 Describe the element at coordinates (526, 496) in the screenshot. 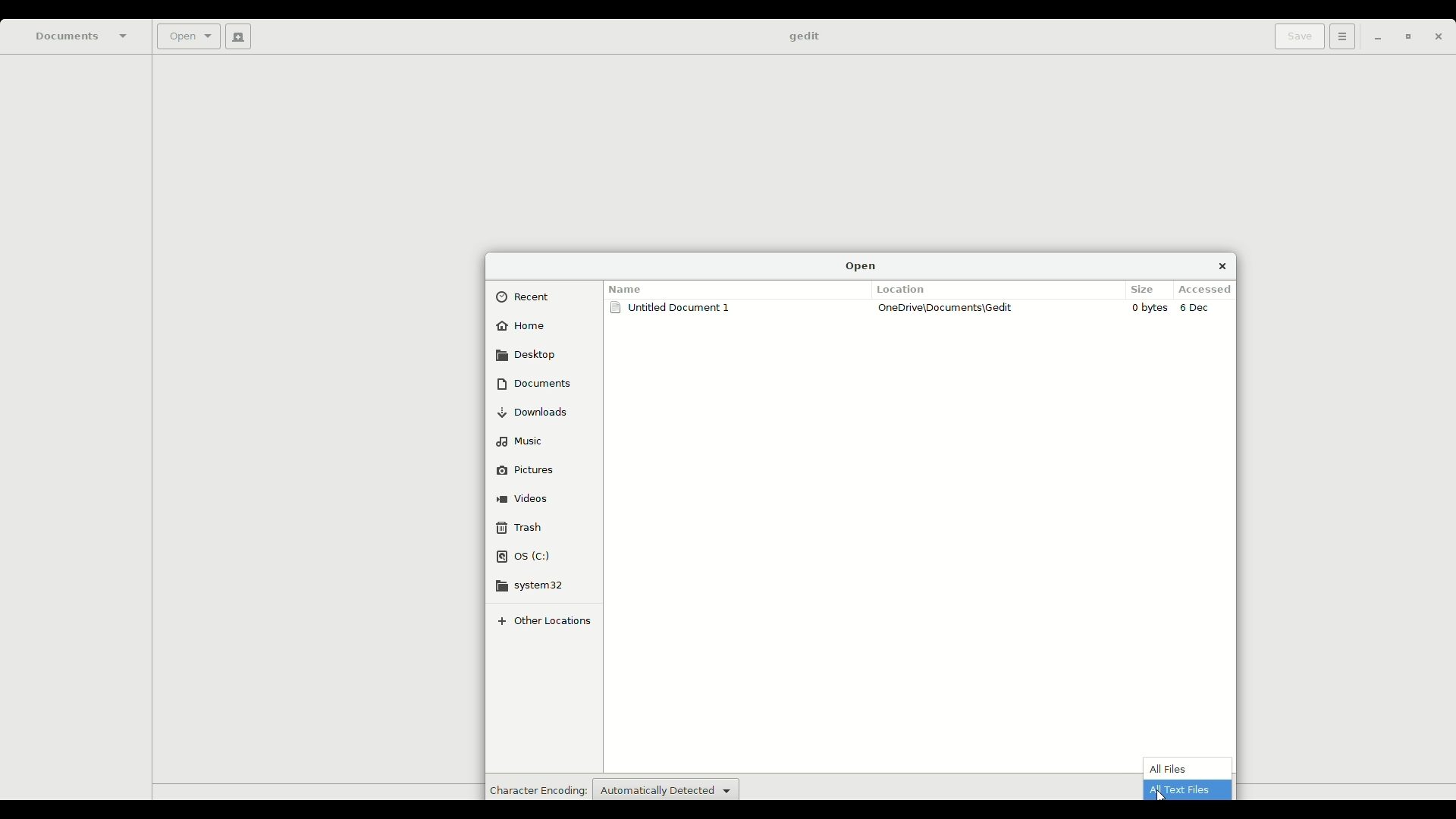

I see `Videos` at that location.